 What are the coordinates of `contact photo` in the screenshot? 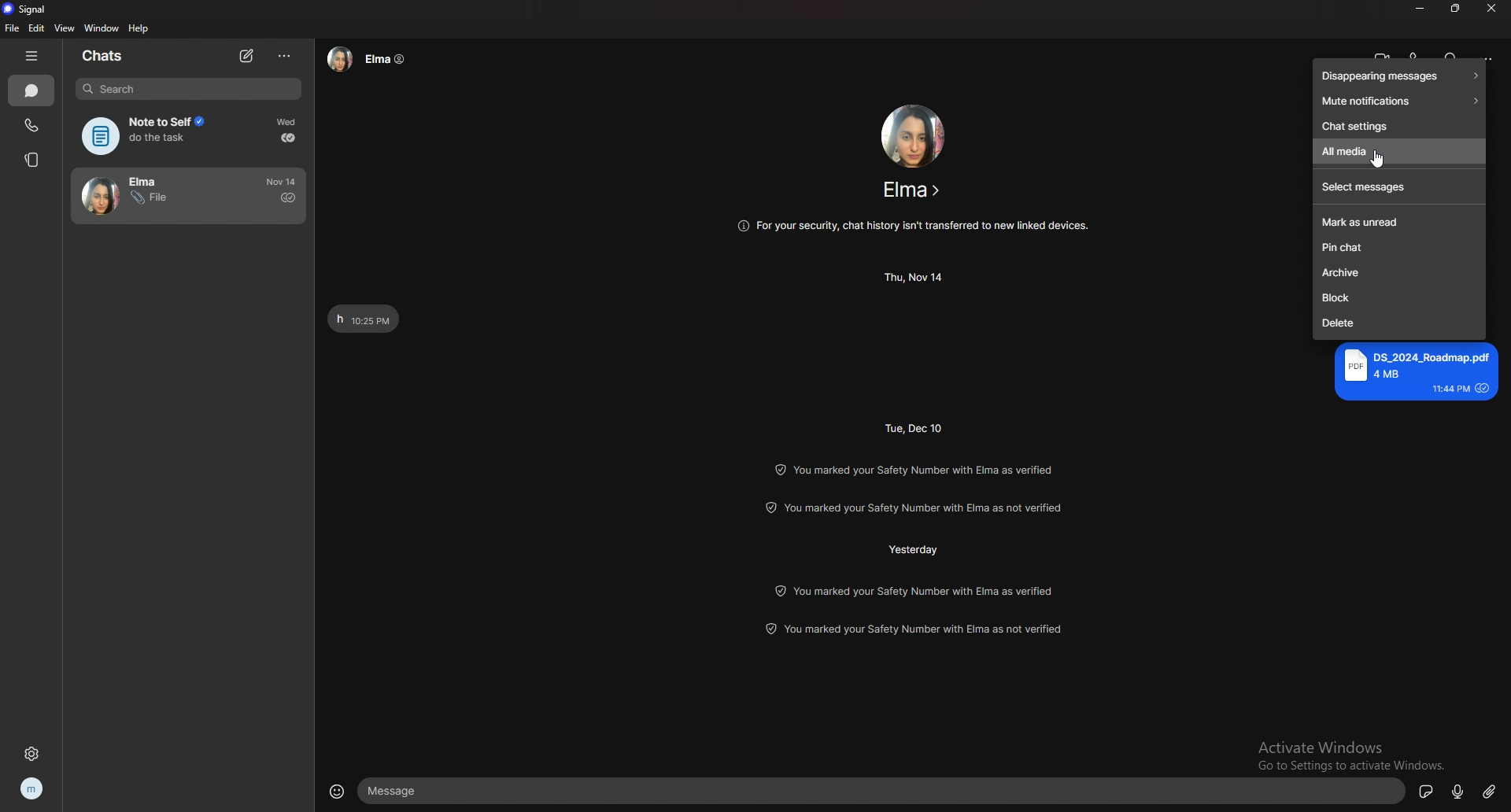 It's located at (913, 134).